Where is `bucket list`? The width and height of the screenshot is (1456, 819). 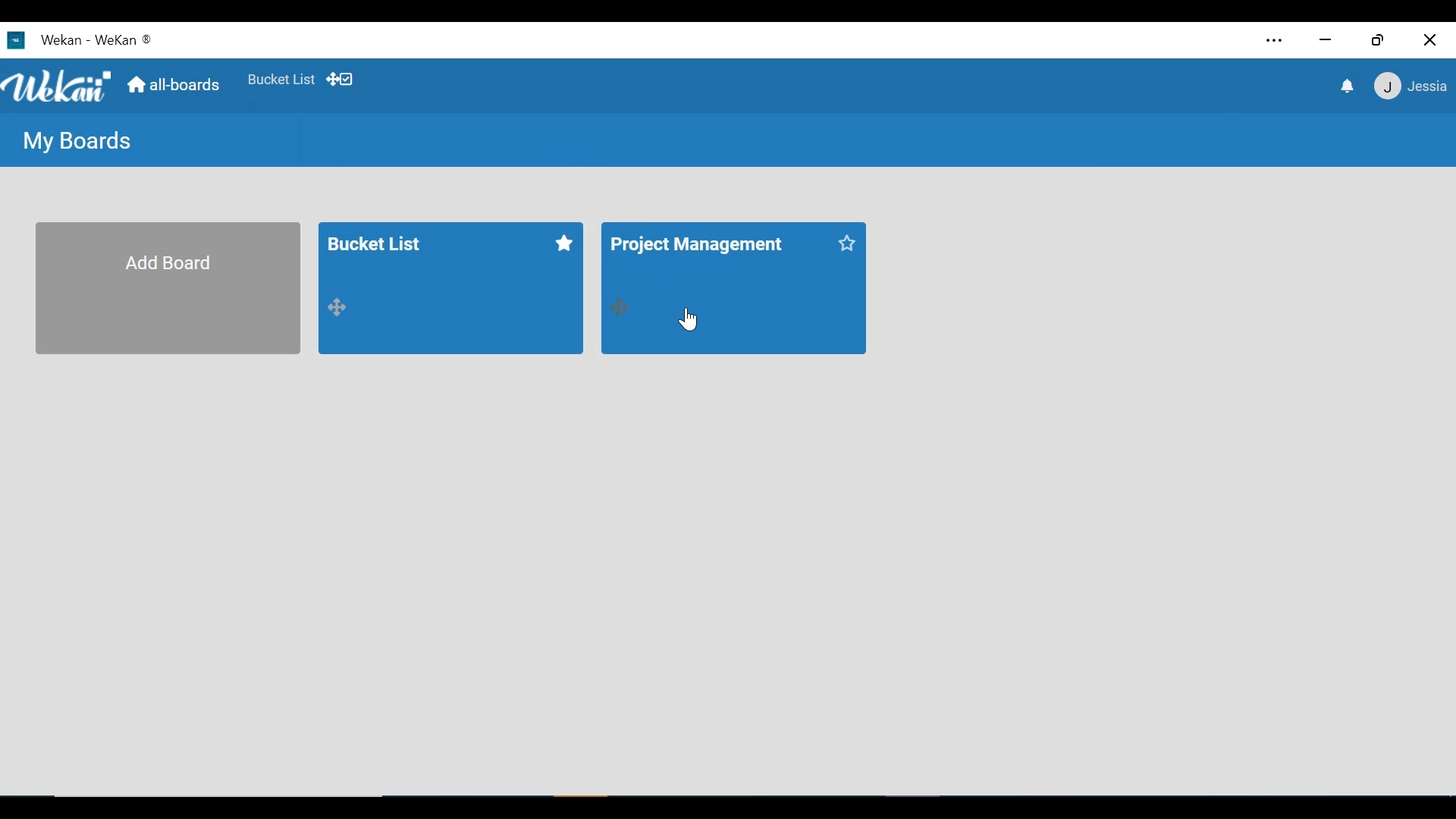
bucket list is located at coordinates (430, 255).